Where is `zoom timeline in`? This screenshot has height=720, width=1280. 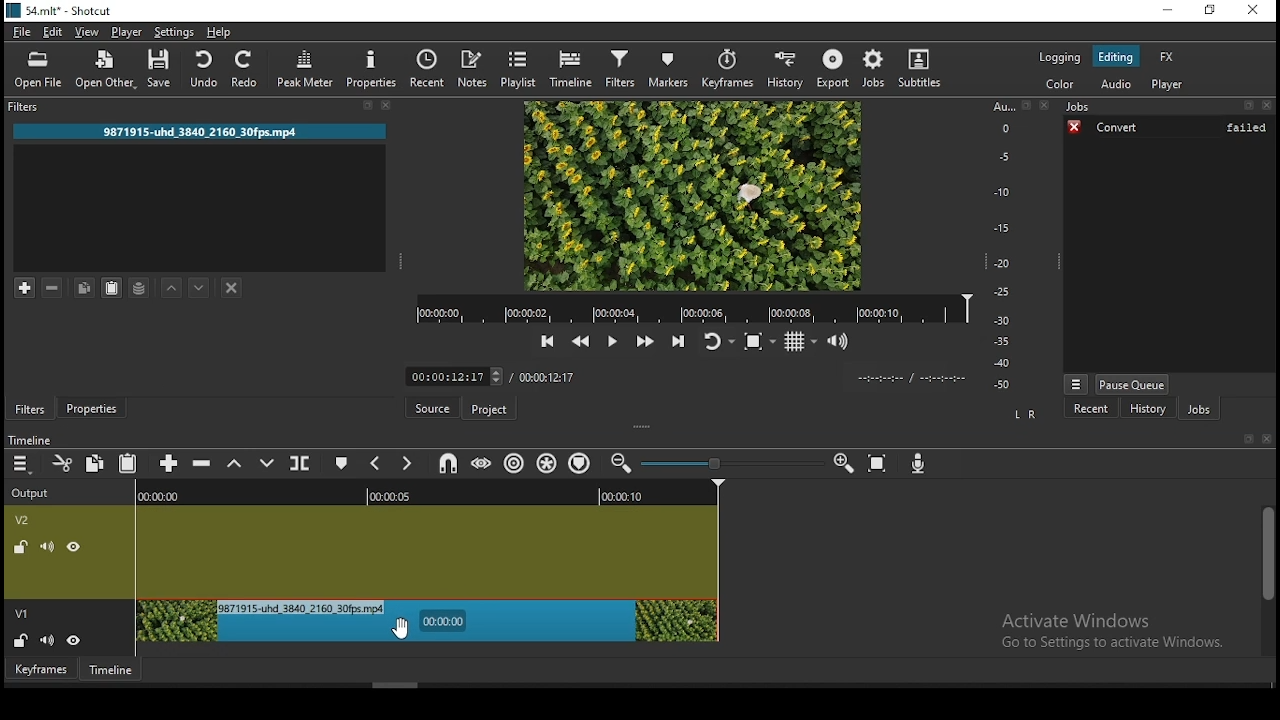 zoom timeline in is located at coordinates (620, 466).